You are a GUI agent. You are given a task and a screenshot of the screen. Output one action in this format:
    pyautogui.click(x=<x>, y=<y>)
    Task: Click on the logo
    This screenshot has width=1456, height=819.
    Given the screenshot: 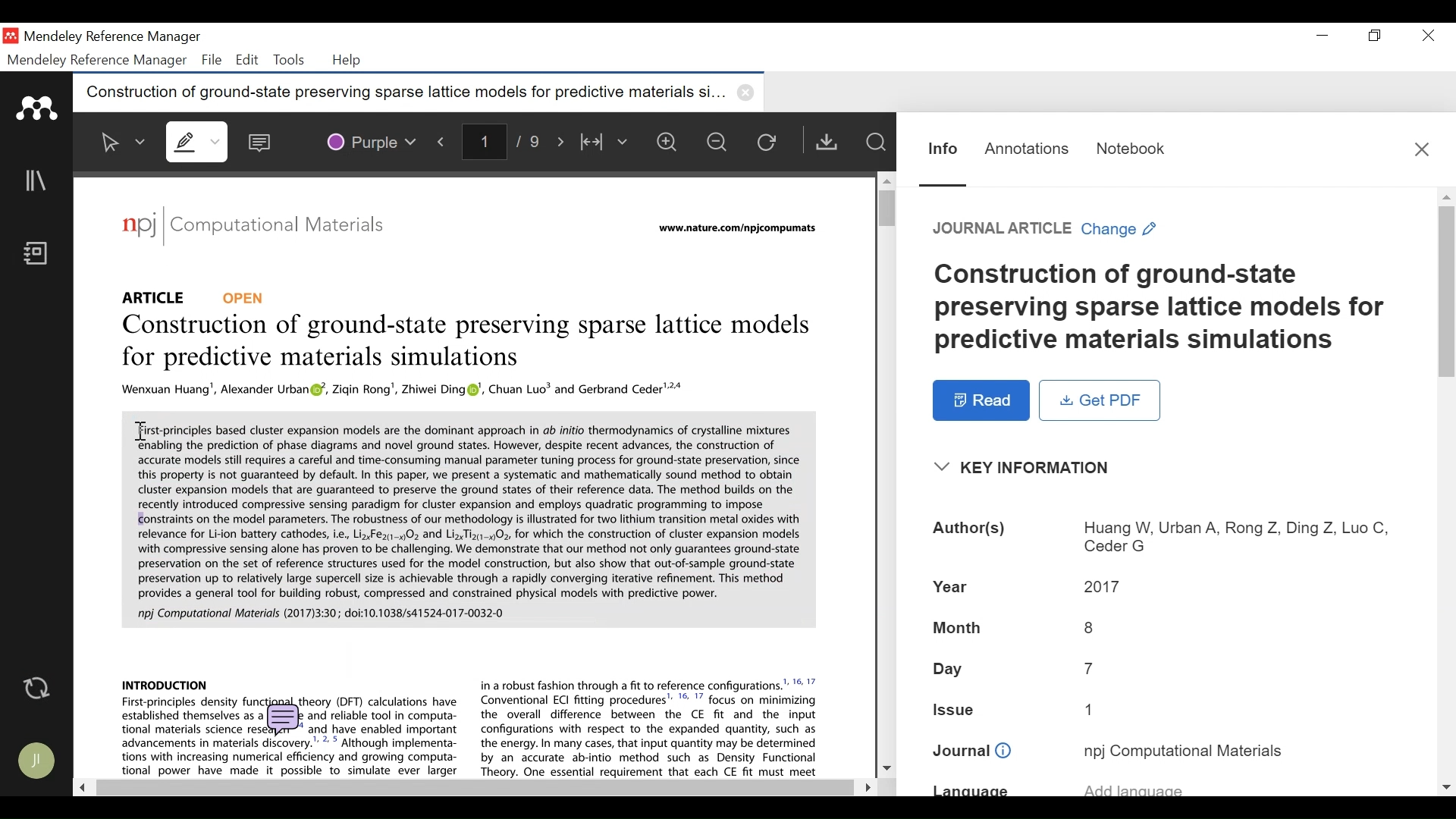 What is the action you would take?
    pyautogui.click(x=139, y=224)
    